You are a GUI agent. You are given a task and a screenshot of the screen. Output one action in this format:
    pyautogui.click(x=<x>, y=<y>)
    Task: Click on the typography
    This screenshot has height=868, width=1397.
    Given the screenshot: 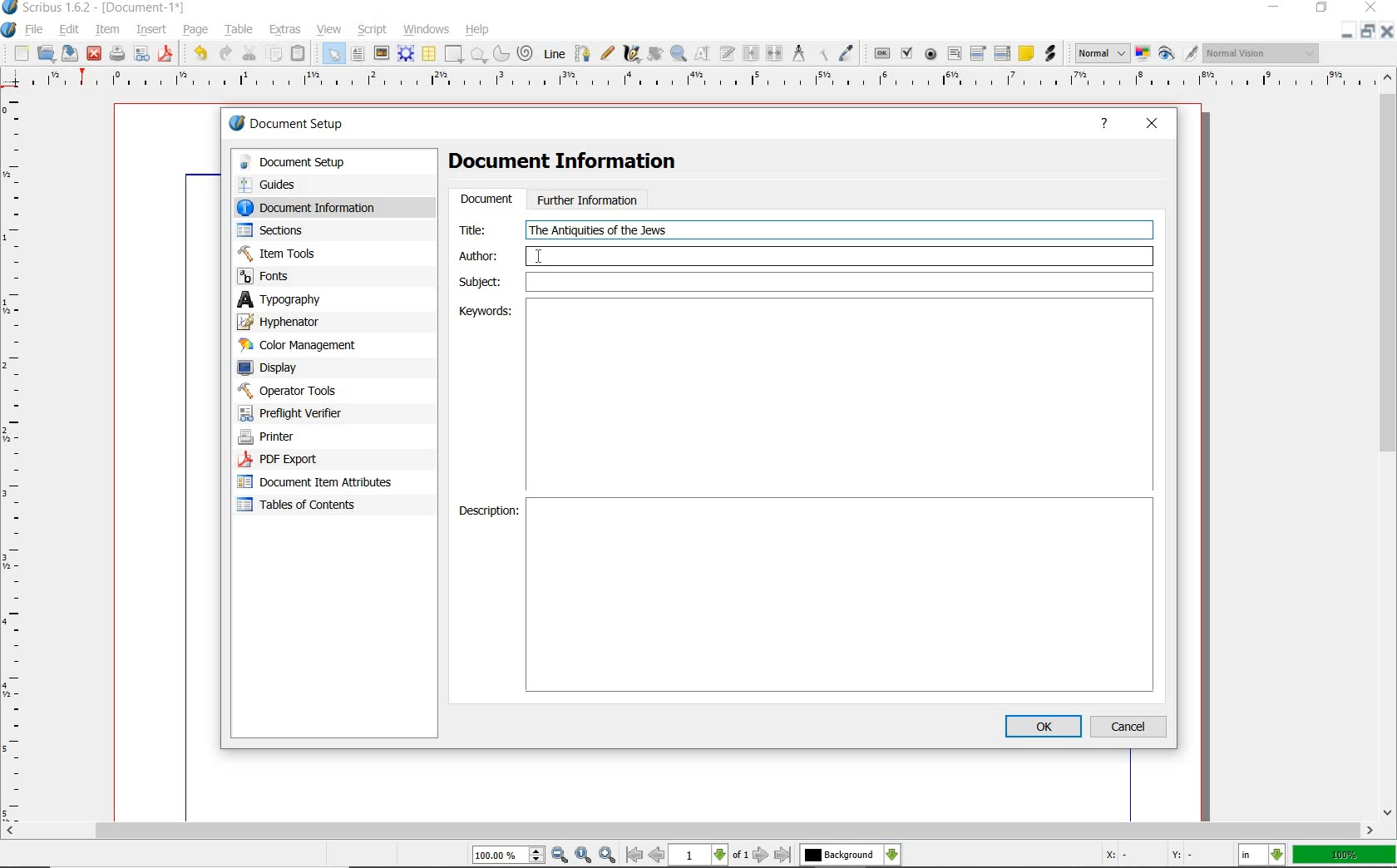 What is the action you would take?
    pyautogui.click(x=303, y=299)
    